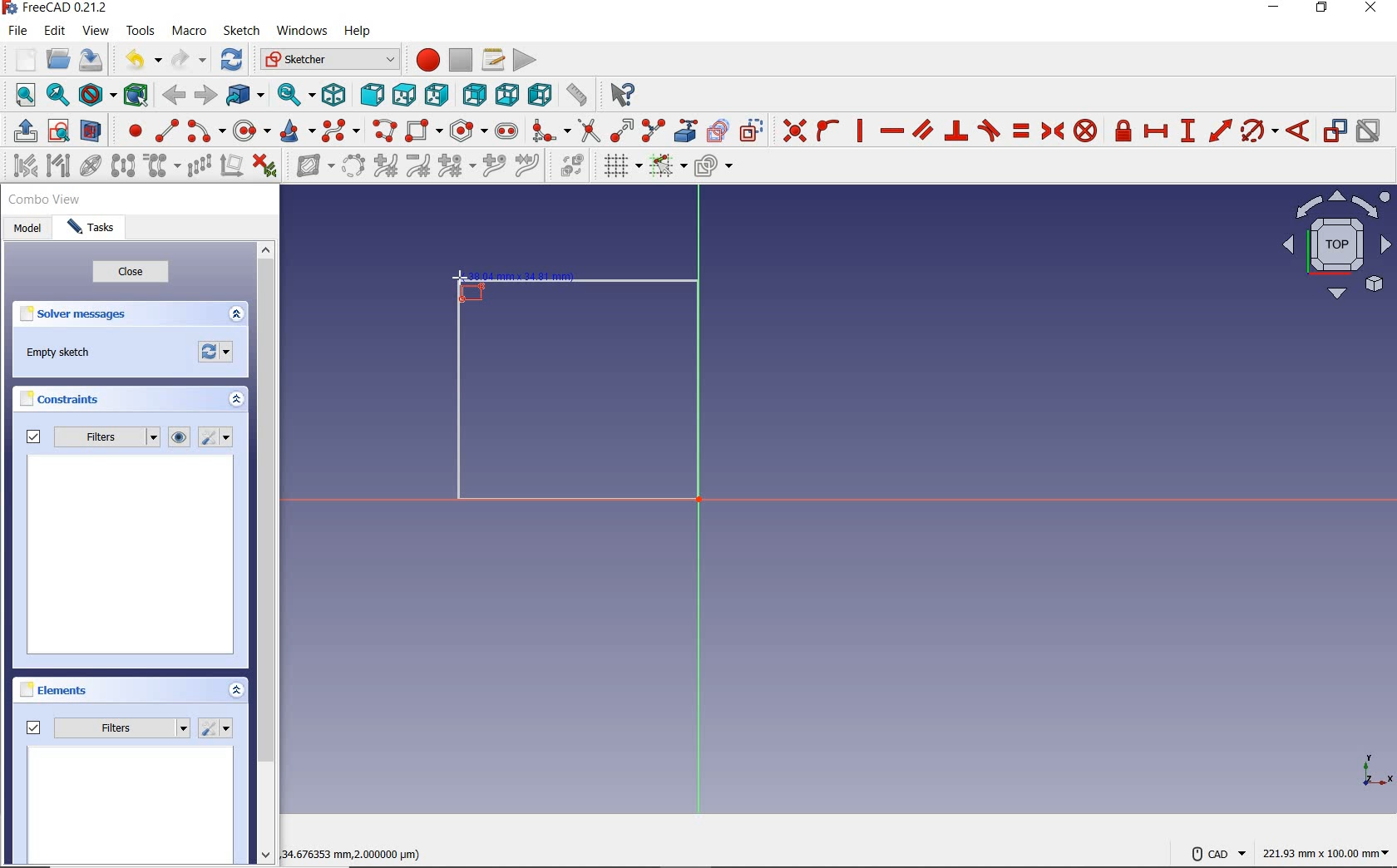  What do you see at coordinates (136, 60) in the screenshot?
I see `undo` at bounding box center [136, 60].